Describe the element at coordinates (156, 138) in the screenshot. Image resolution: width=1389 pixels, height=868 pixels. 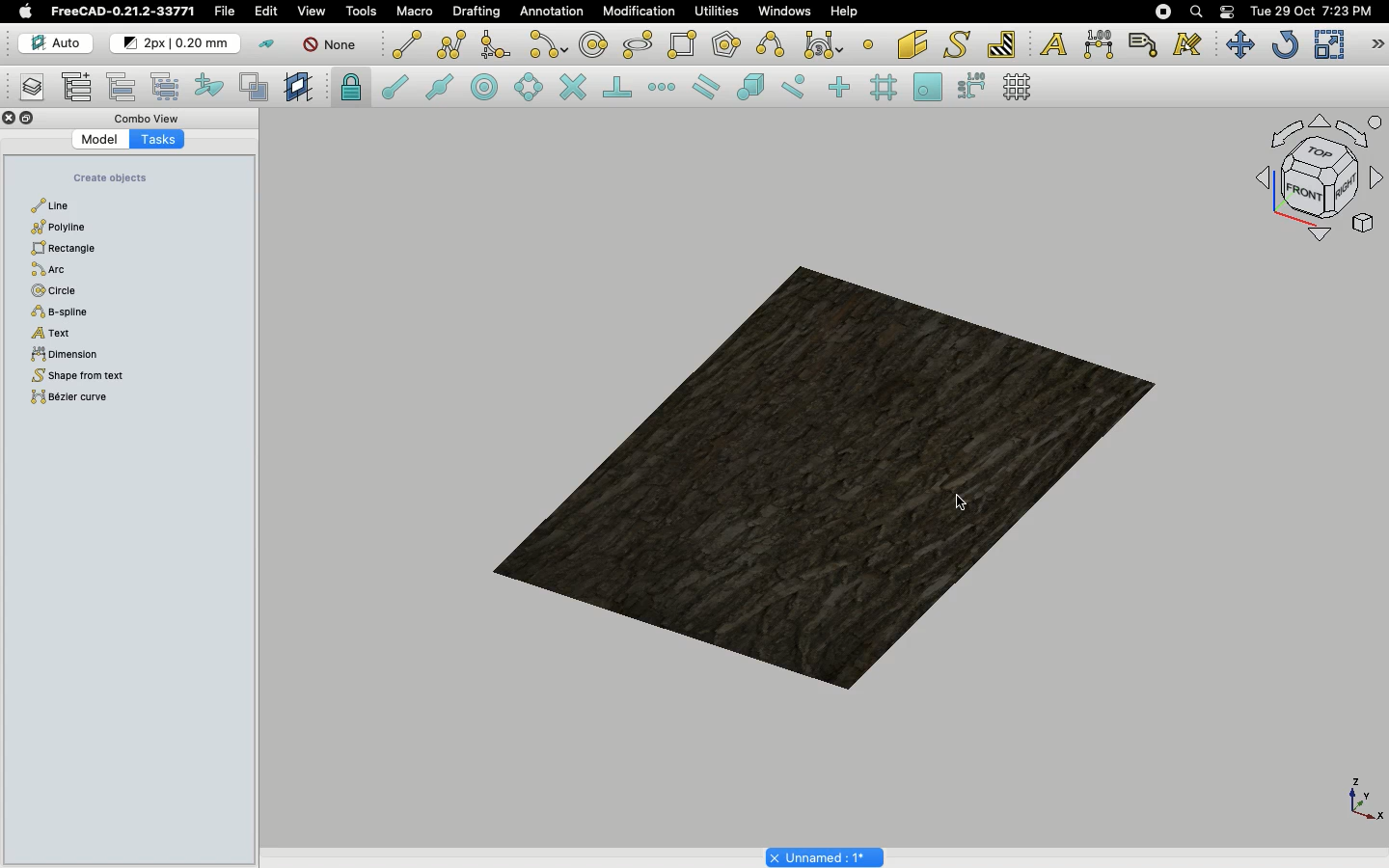
I see `Tasks` at that location.